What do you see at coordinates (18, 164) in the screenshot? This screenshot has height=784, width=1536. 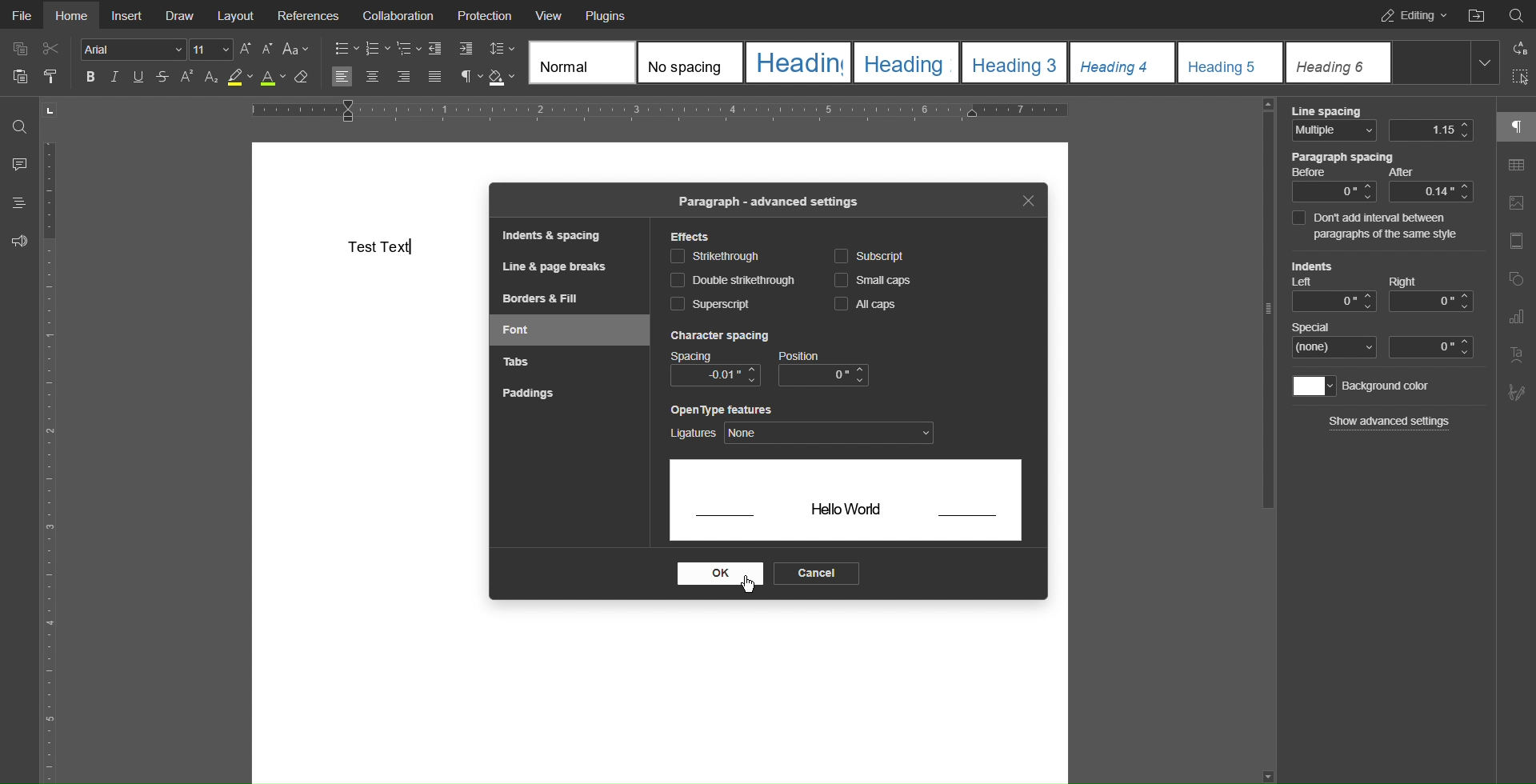 I see `Comment` at bounding box center [18, 164].